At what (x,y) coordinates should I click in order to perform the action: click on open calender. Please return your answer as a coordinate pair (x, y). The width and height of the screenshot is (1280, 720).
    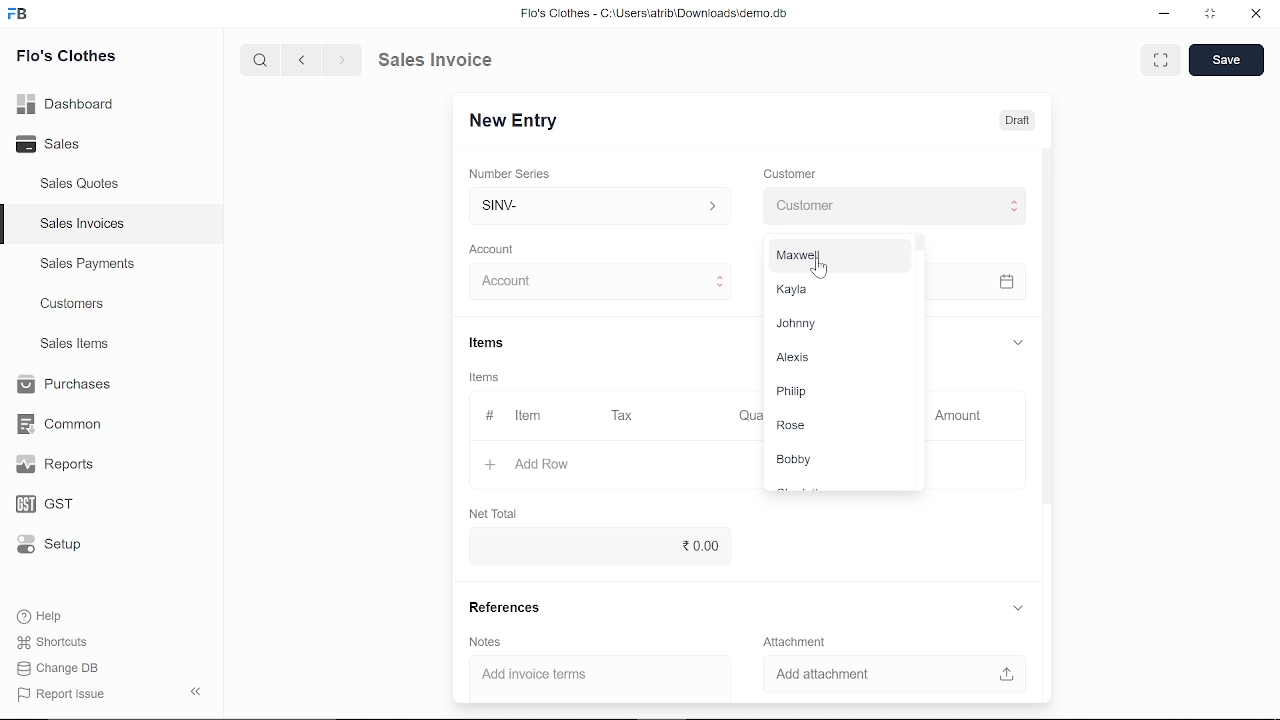
    Looking at the image, I should click on (1006, 281).